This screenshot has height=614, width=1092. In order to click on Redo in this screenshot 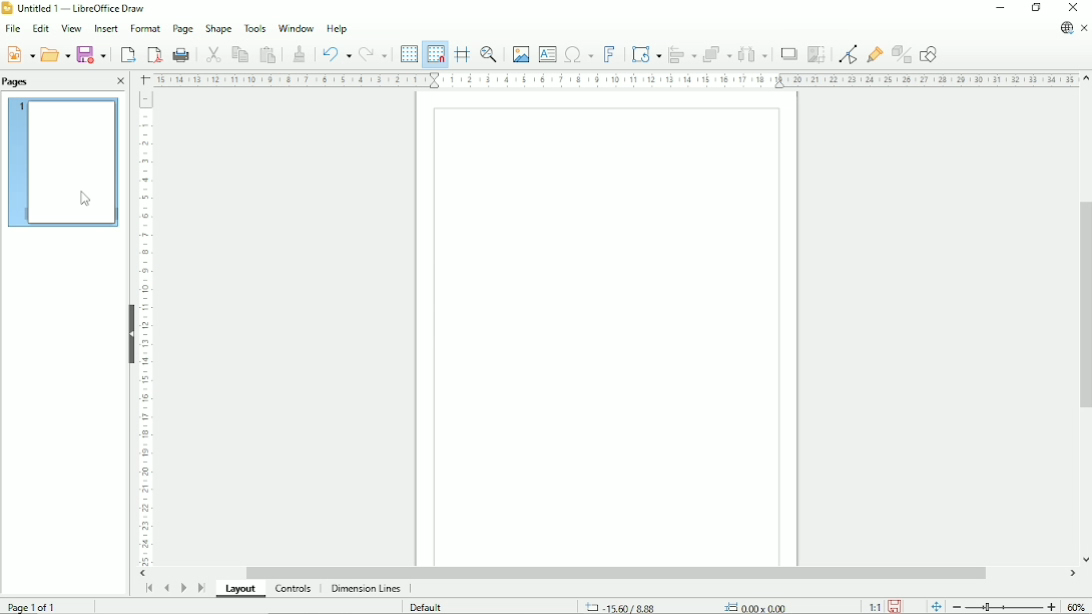, I will do `click(373, 55)`.